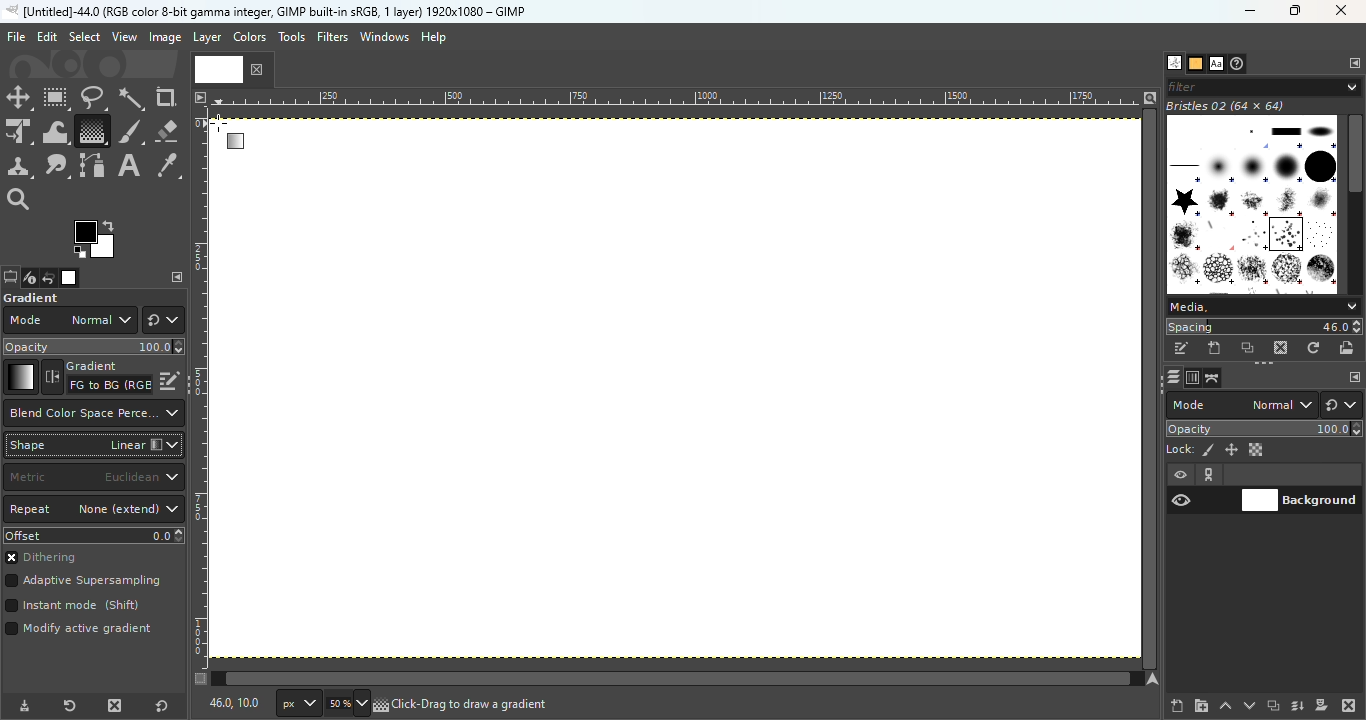  Describe the element at coordinates (18, 133) in the screenshot. I see `Unified transform tool` at that location.